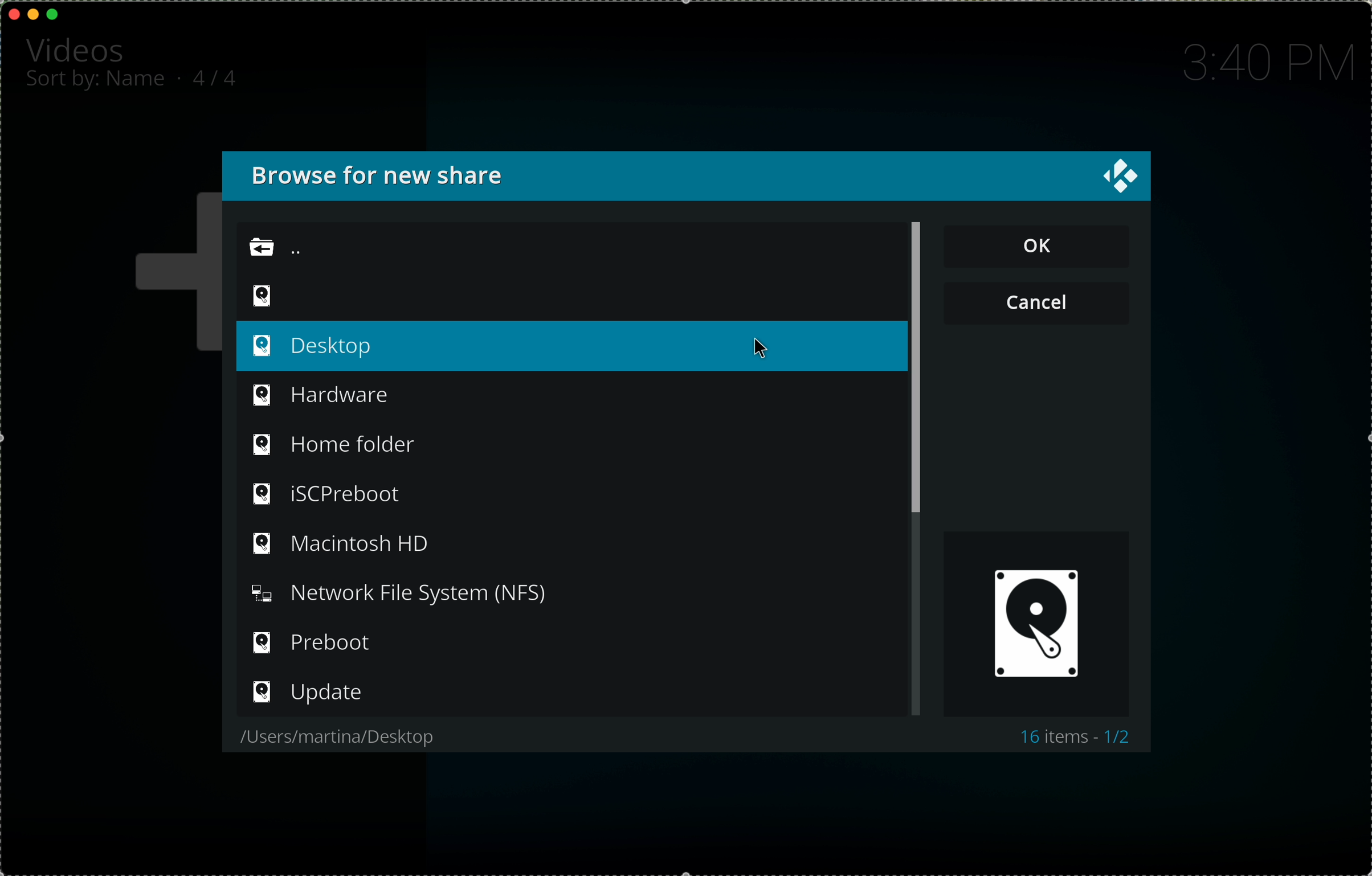 This screenshot has height=876, width=1372. I want to click on 4/4, so click(220, 76).